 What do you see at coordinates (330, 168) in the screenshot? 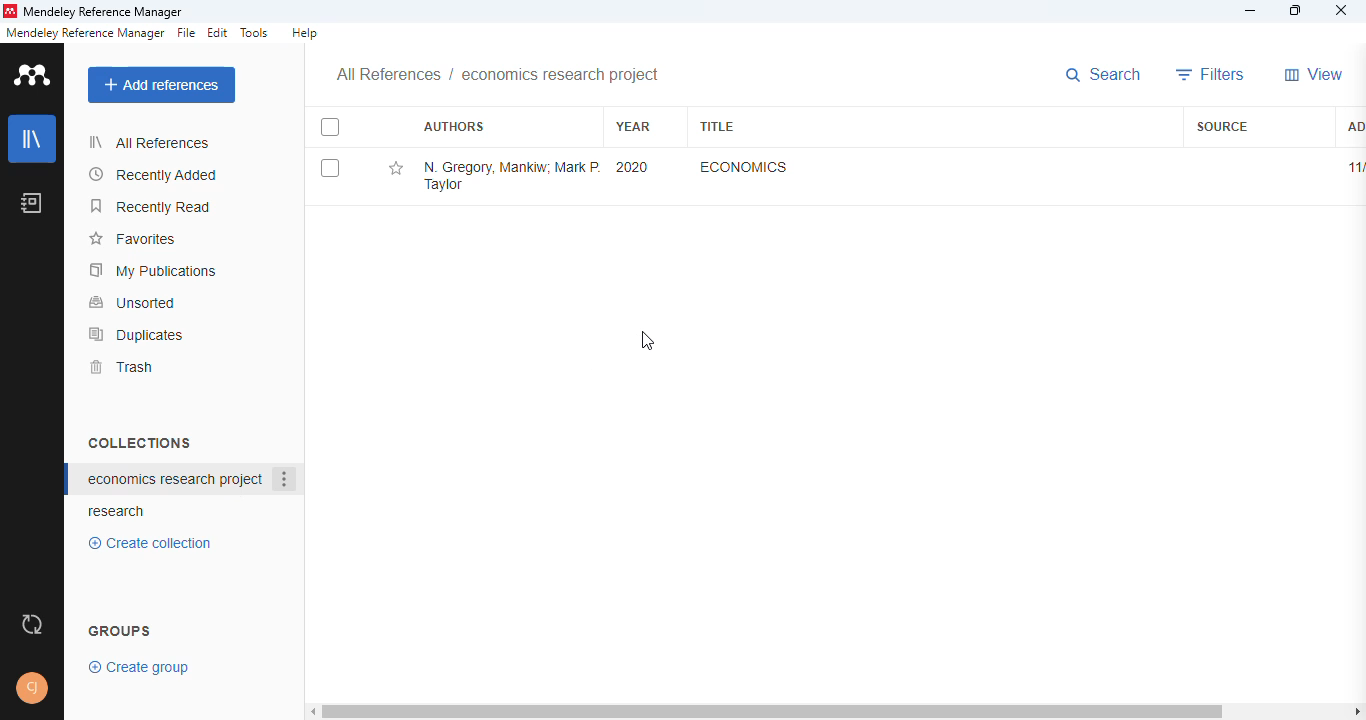
I see `select` at bounding box center [330, 168].